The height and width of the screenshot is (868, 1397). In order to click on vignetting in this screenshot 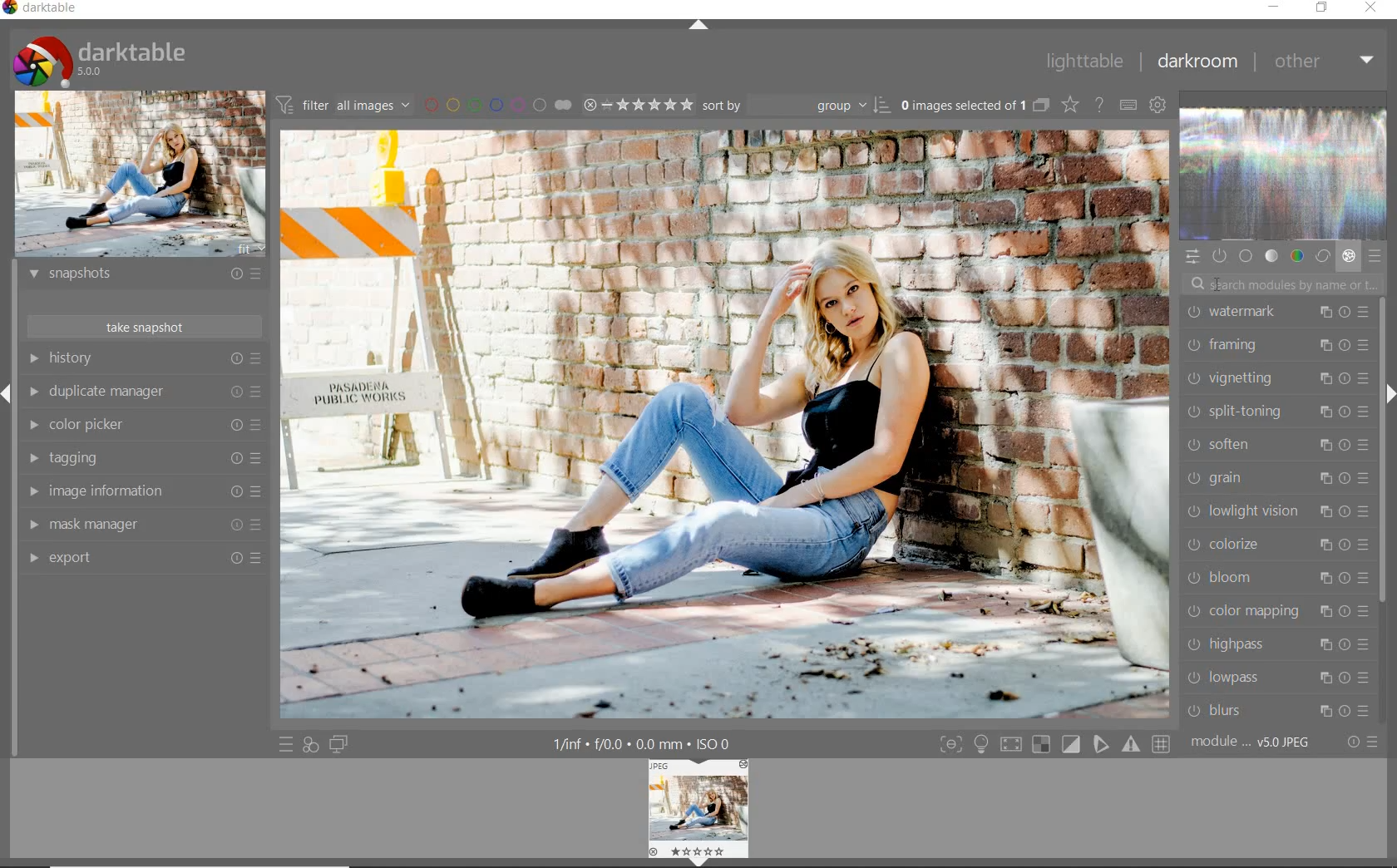, I will do `click(1276, 379)`.